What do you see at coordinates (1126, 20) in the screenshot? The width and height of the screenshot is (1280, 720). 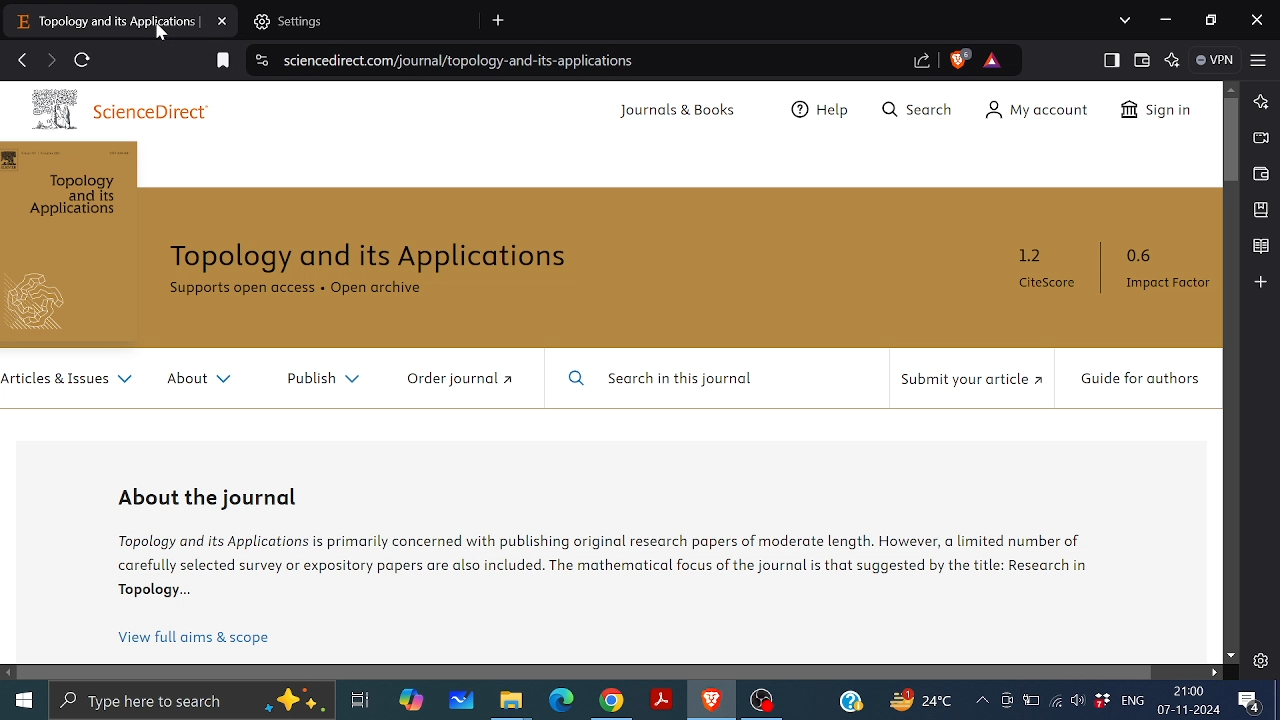 I see `dropdown` at bounding box center [1126, 20].